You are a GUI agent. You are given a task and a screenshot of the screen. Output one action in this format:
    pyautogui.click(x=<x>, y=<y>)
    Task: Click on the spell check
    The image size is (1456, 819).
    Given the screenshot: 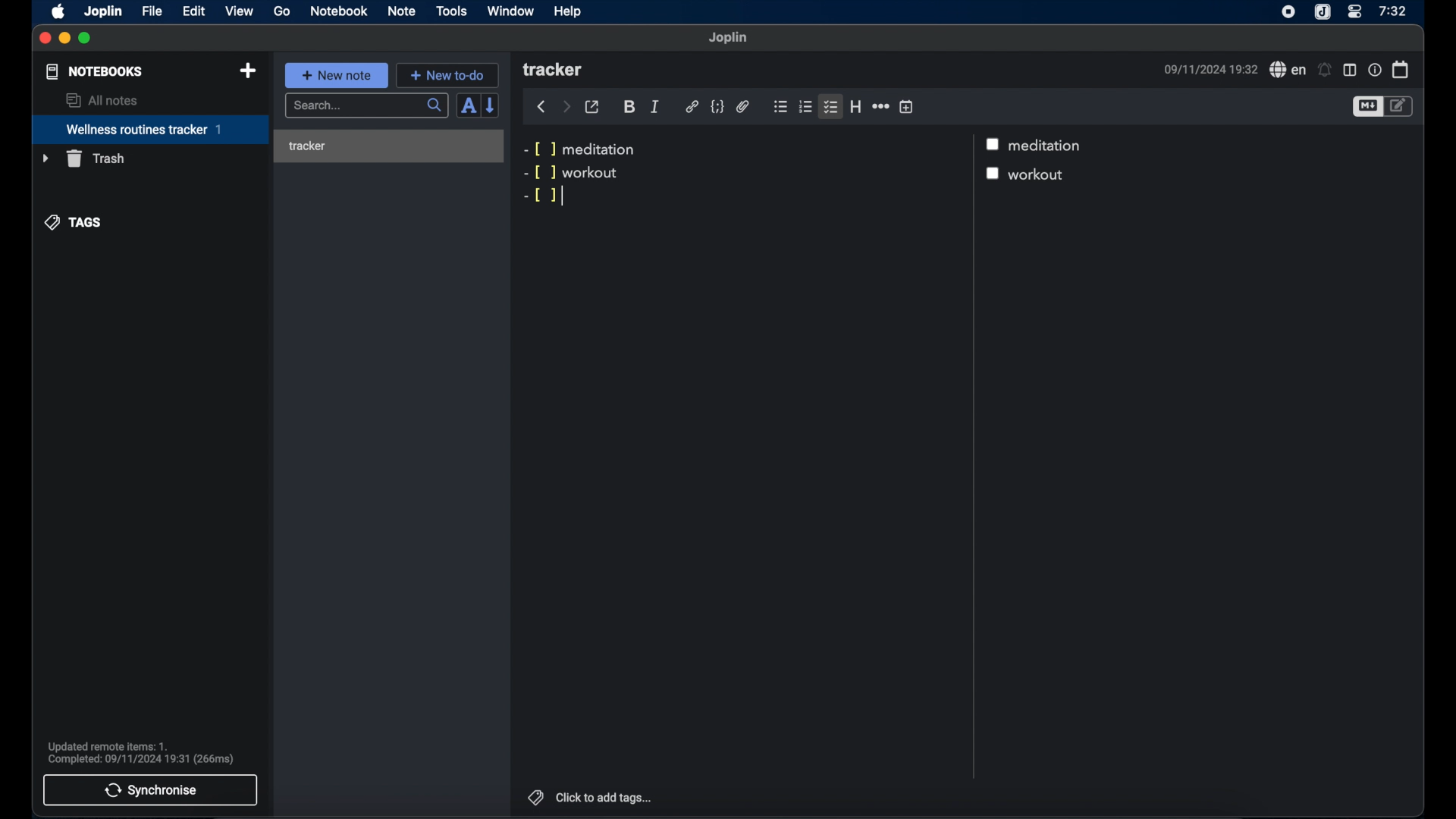 What is the action you would take?
    pyautogui.click(x=1285, y=69)
    